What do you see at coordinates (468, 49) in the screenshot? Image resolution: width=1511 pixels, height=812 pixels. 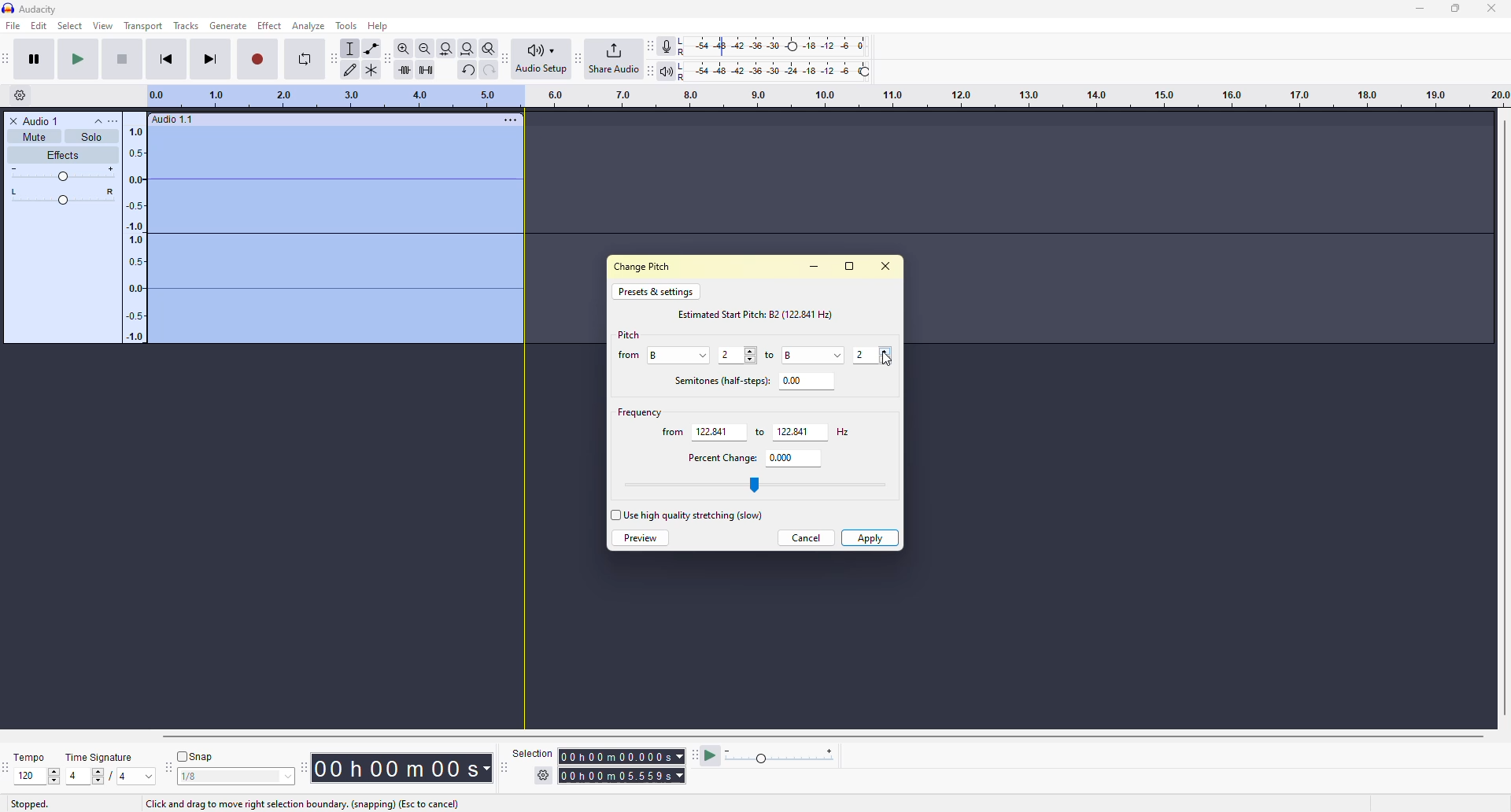 I see `fit project to width` at bounding box center [468, 49].